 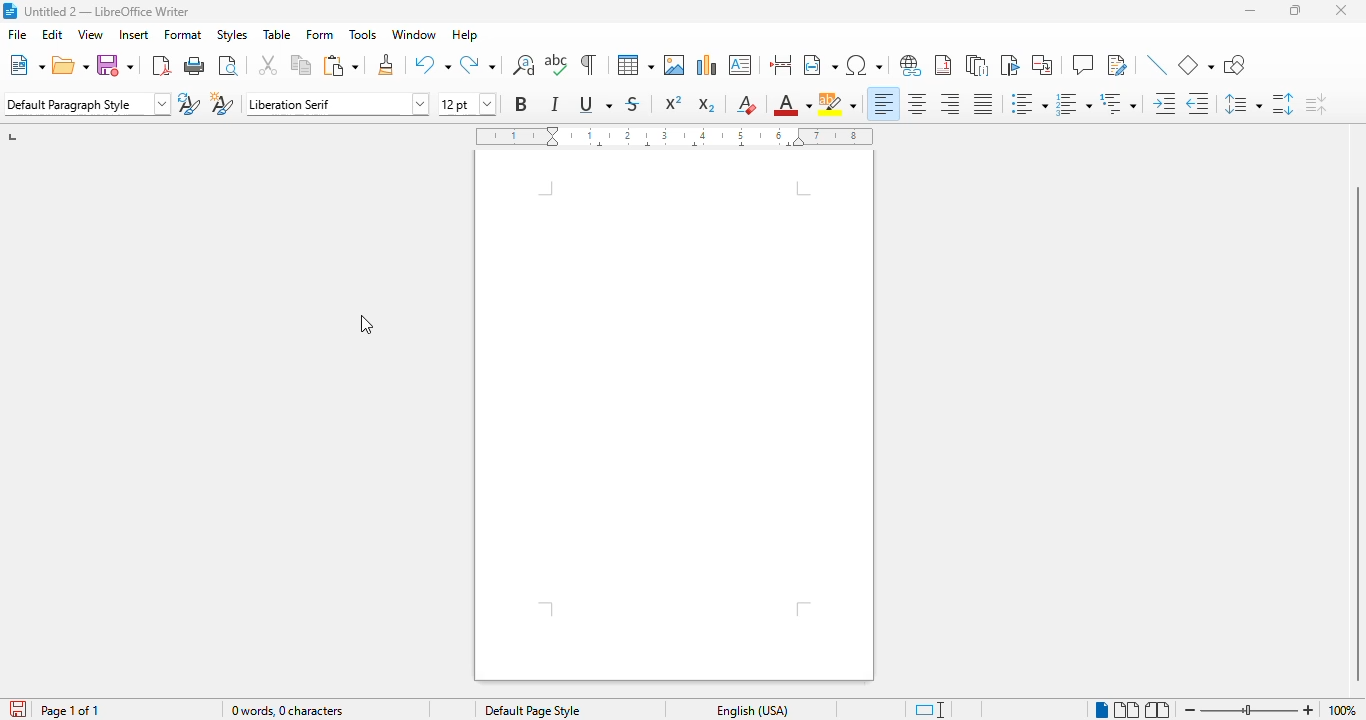 What do you see at coordinates (557, 66) in the screenshot?
I see `spelling` at bounding box center [557, 66].